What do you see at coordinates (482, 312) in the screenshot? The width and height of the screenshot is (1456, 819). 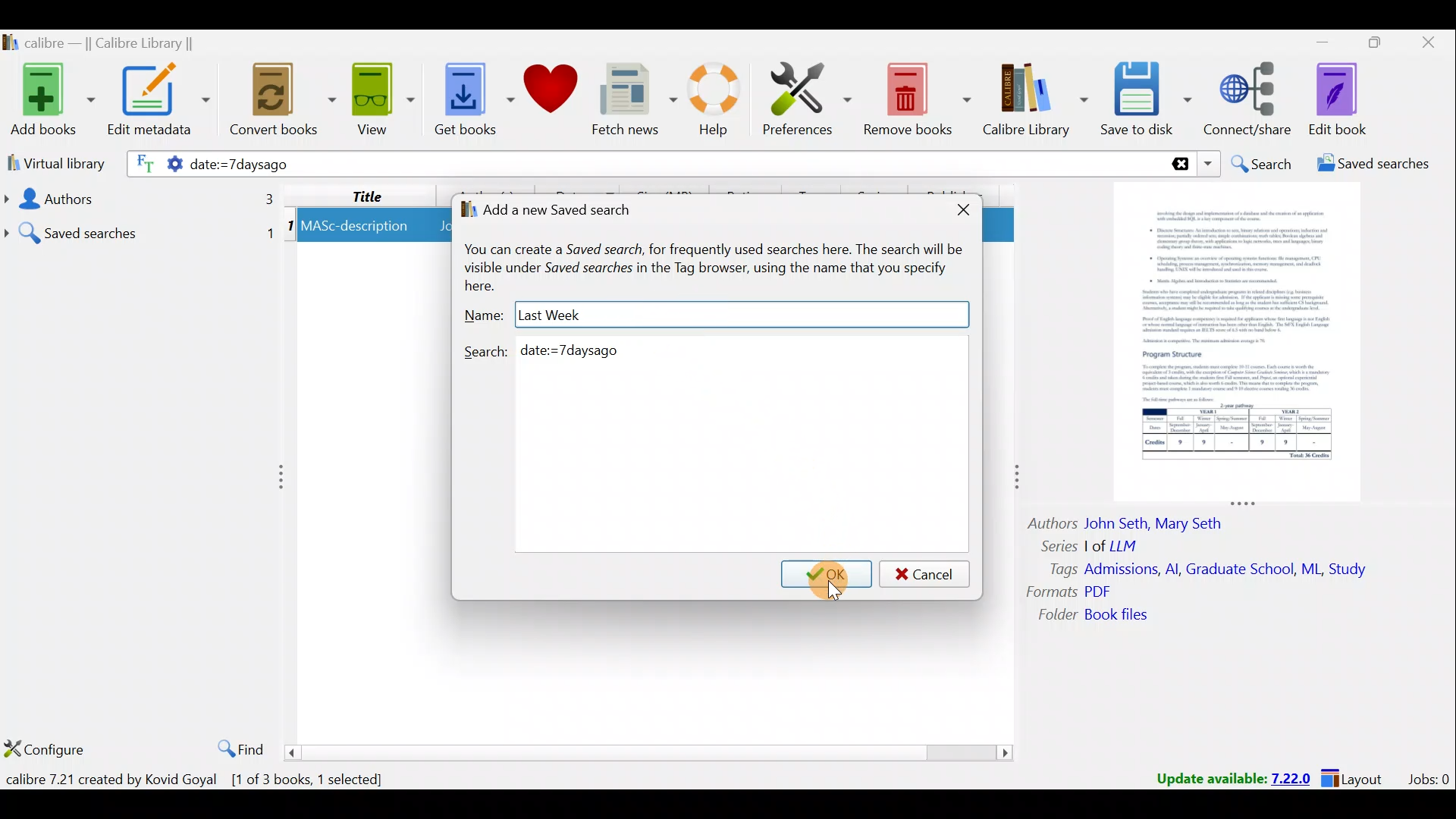 I see `Name` at bounding box center [482, 312].